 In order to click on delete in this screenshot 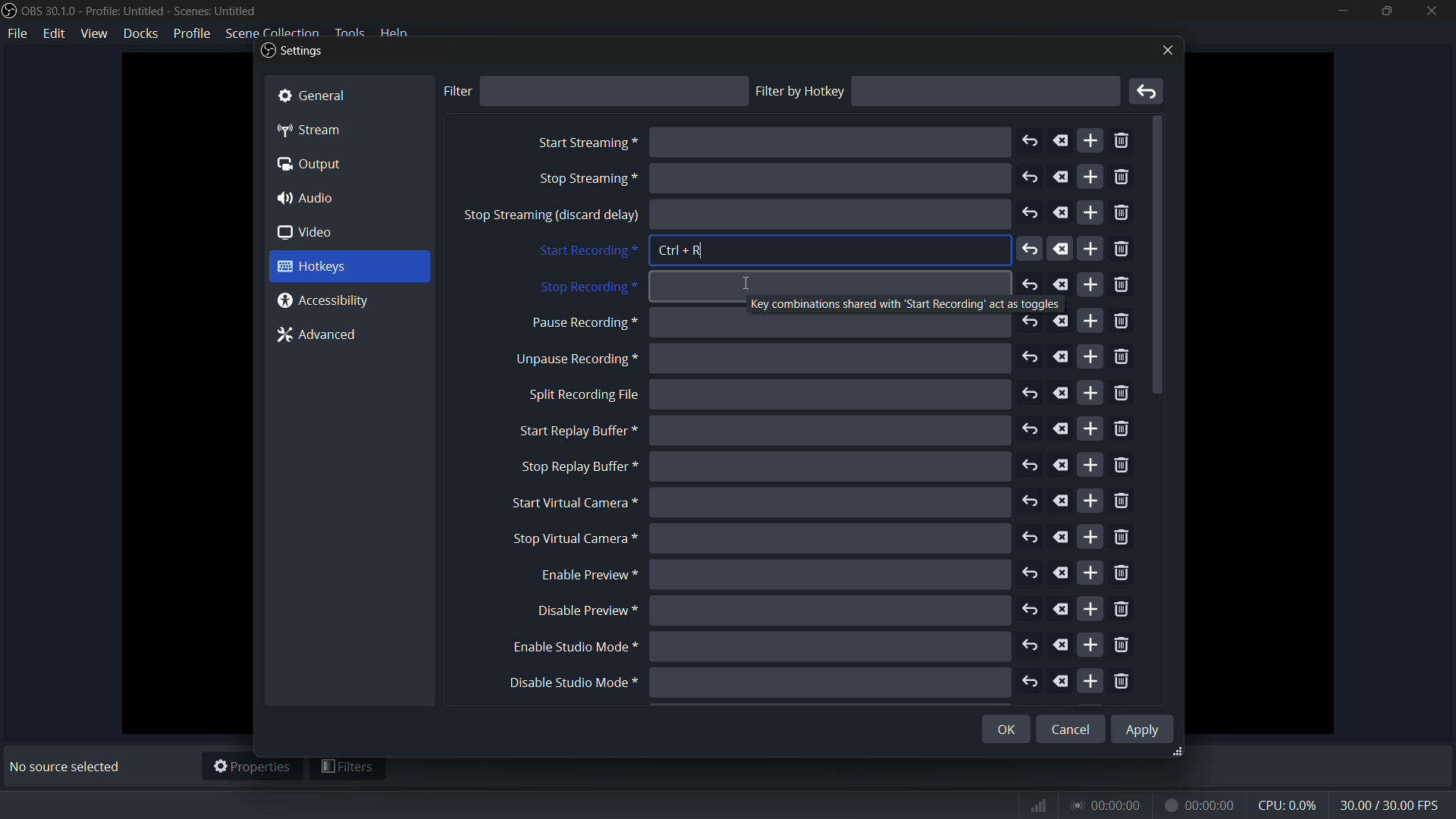, I will do `click(1061, 537)`.